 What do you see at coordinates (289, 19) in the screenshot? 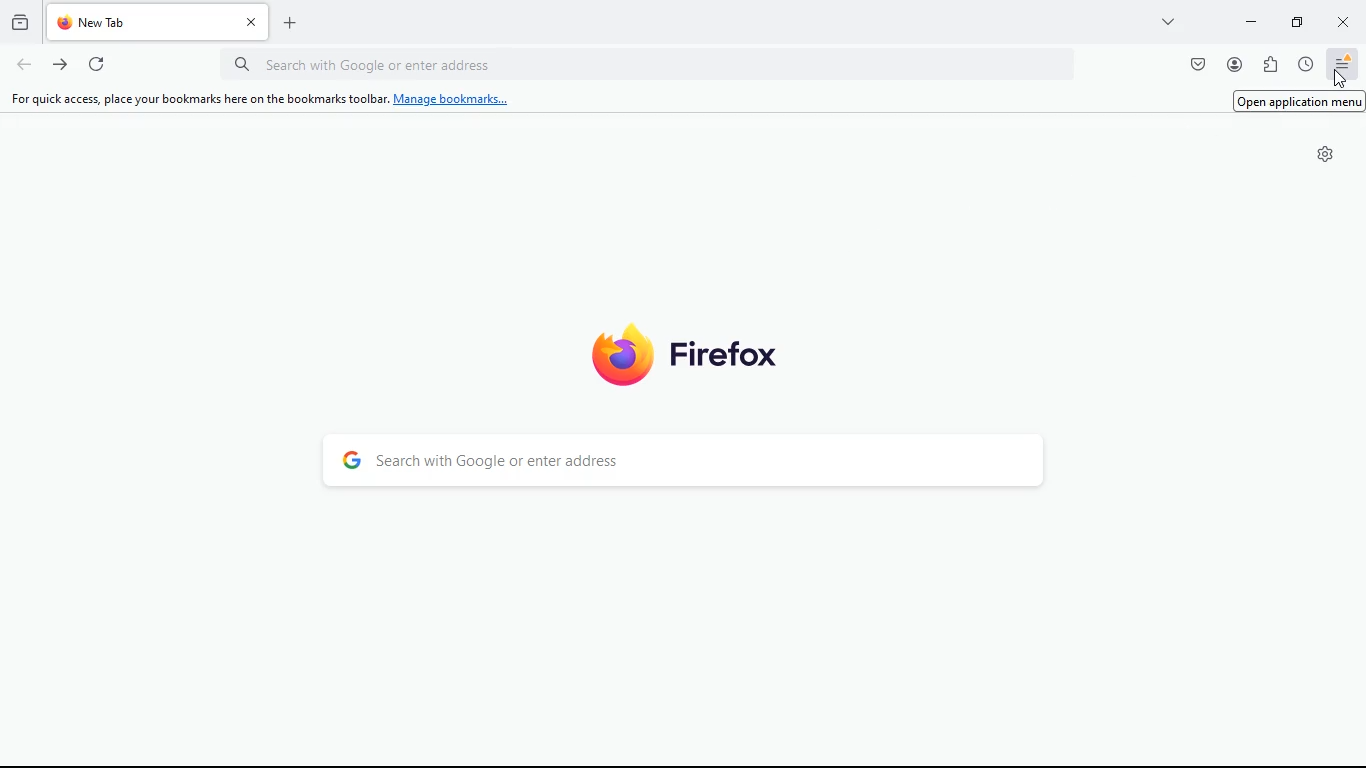
I see `add tab` at bounding box center [289, 19].